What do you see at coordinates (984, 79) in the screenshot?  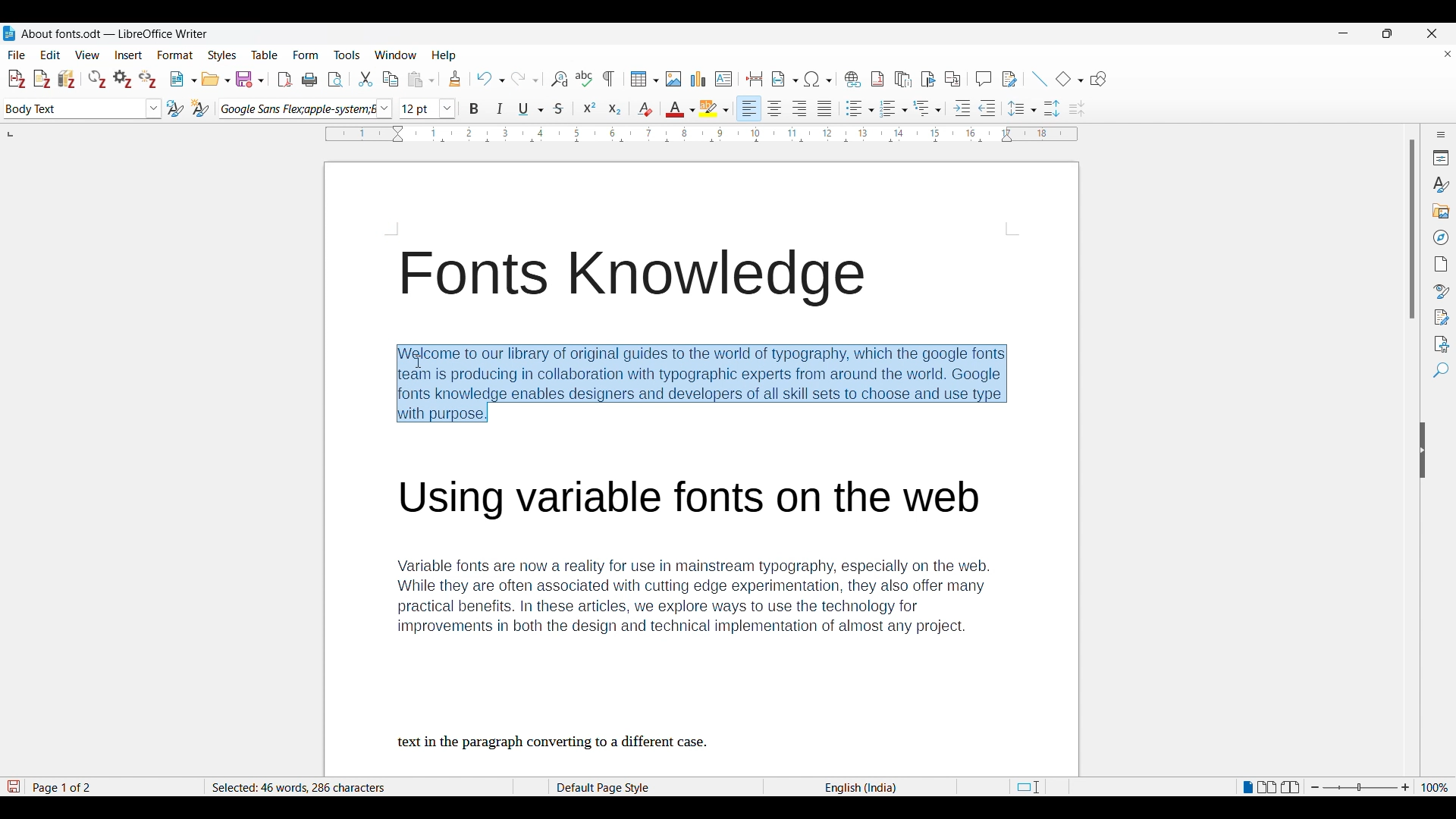 I see `Insert comment` at bounding box center [984, 79].